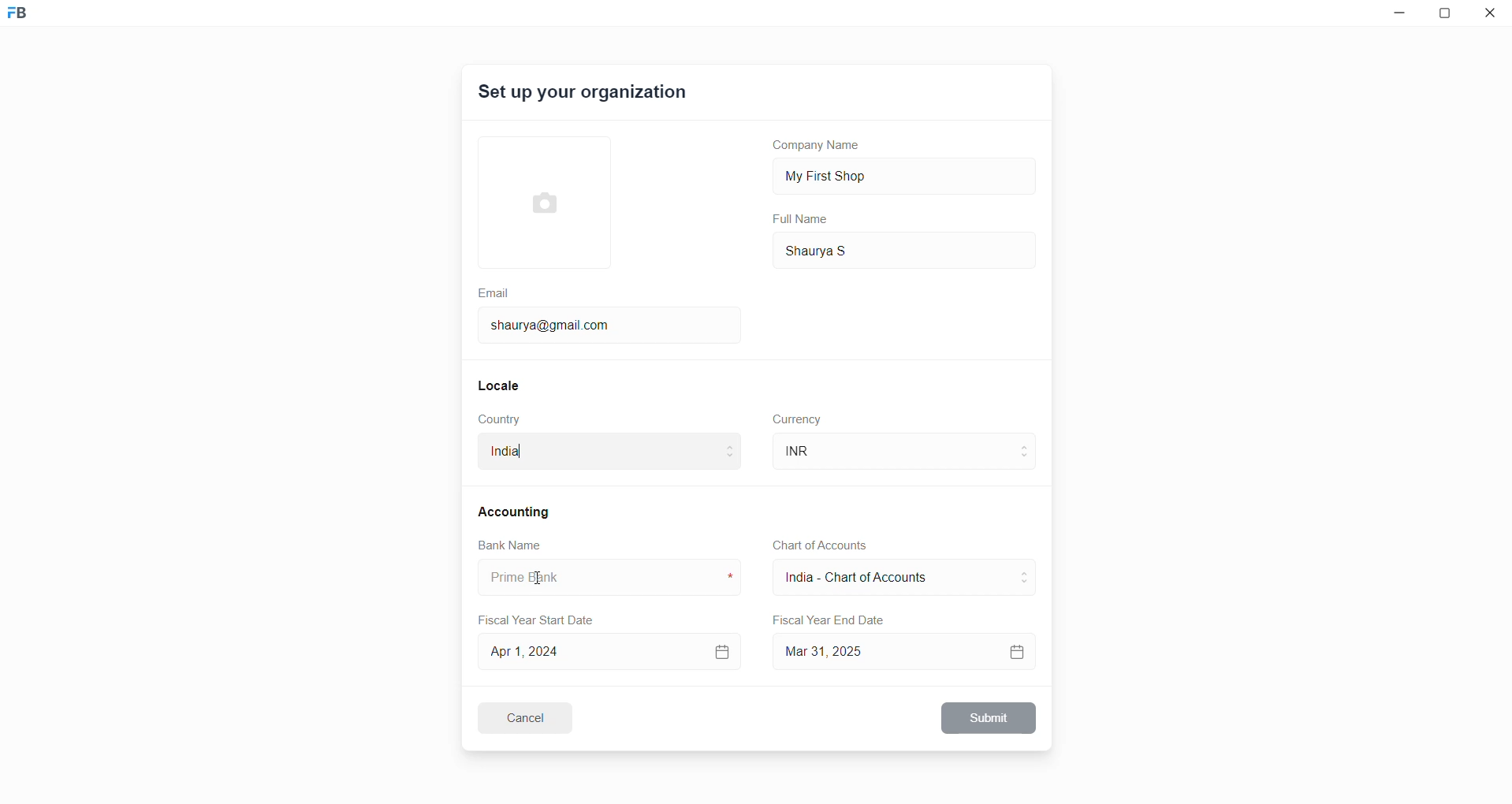 The image size is (1512, 804). Describe the element at coordinates (822, 147) in the screenshot. I see `Company Name` at that location.